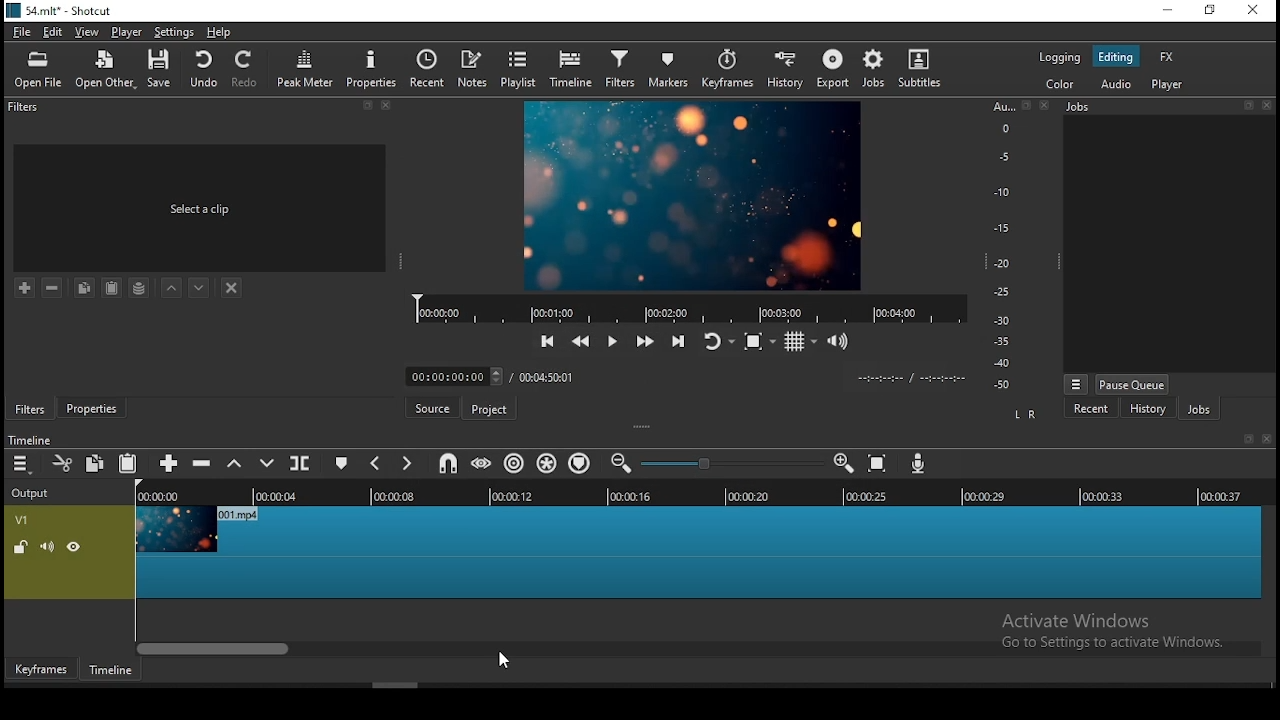 This screenshot has width=1280, height=720. Describe the element at coordinates (219, 32) in the screenshot. I see `help` at that location.